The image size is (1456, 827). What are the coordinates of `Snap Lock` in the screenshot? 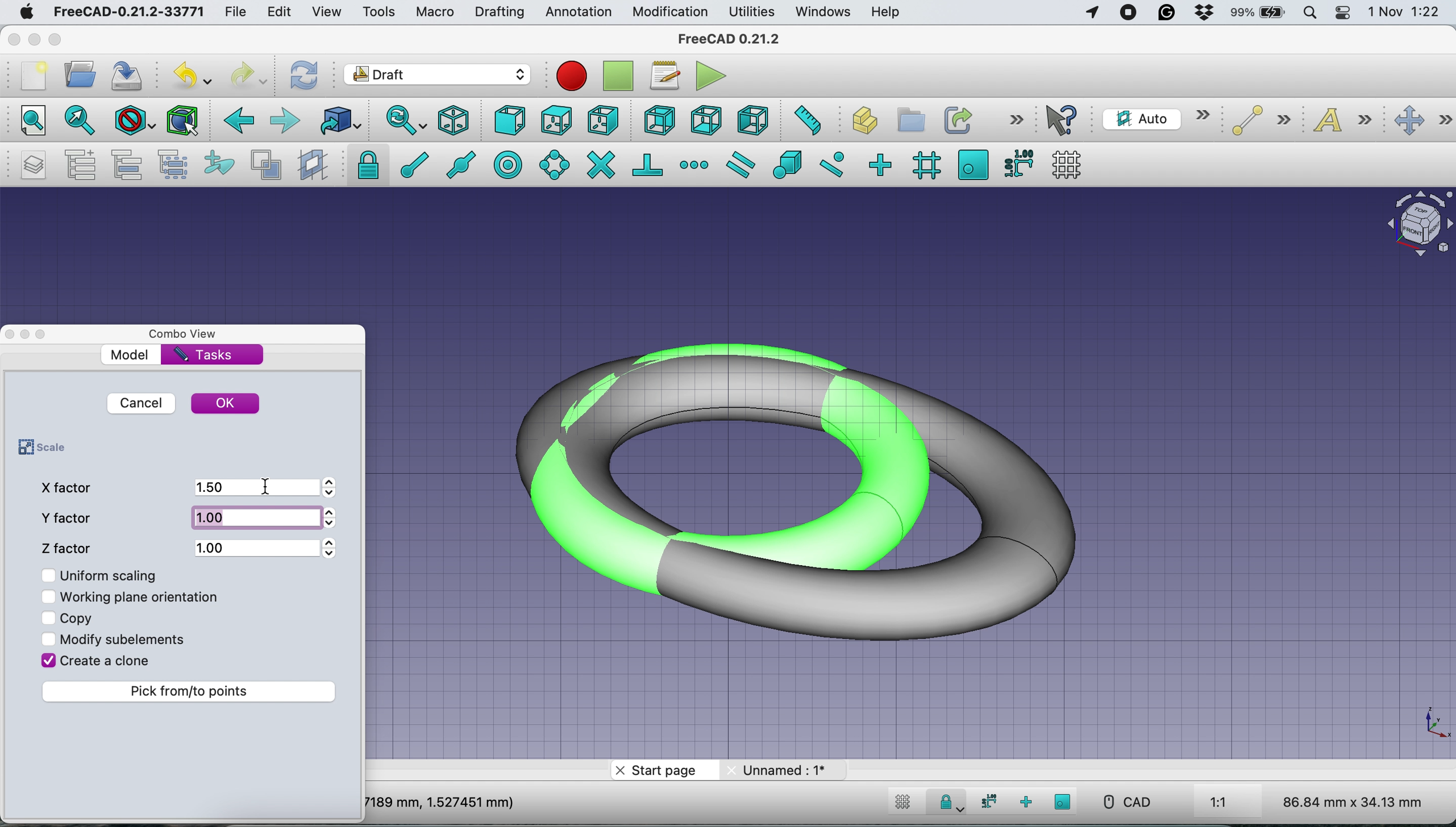 It's located at (949, 801).